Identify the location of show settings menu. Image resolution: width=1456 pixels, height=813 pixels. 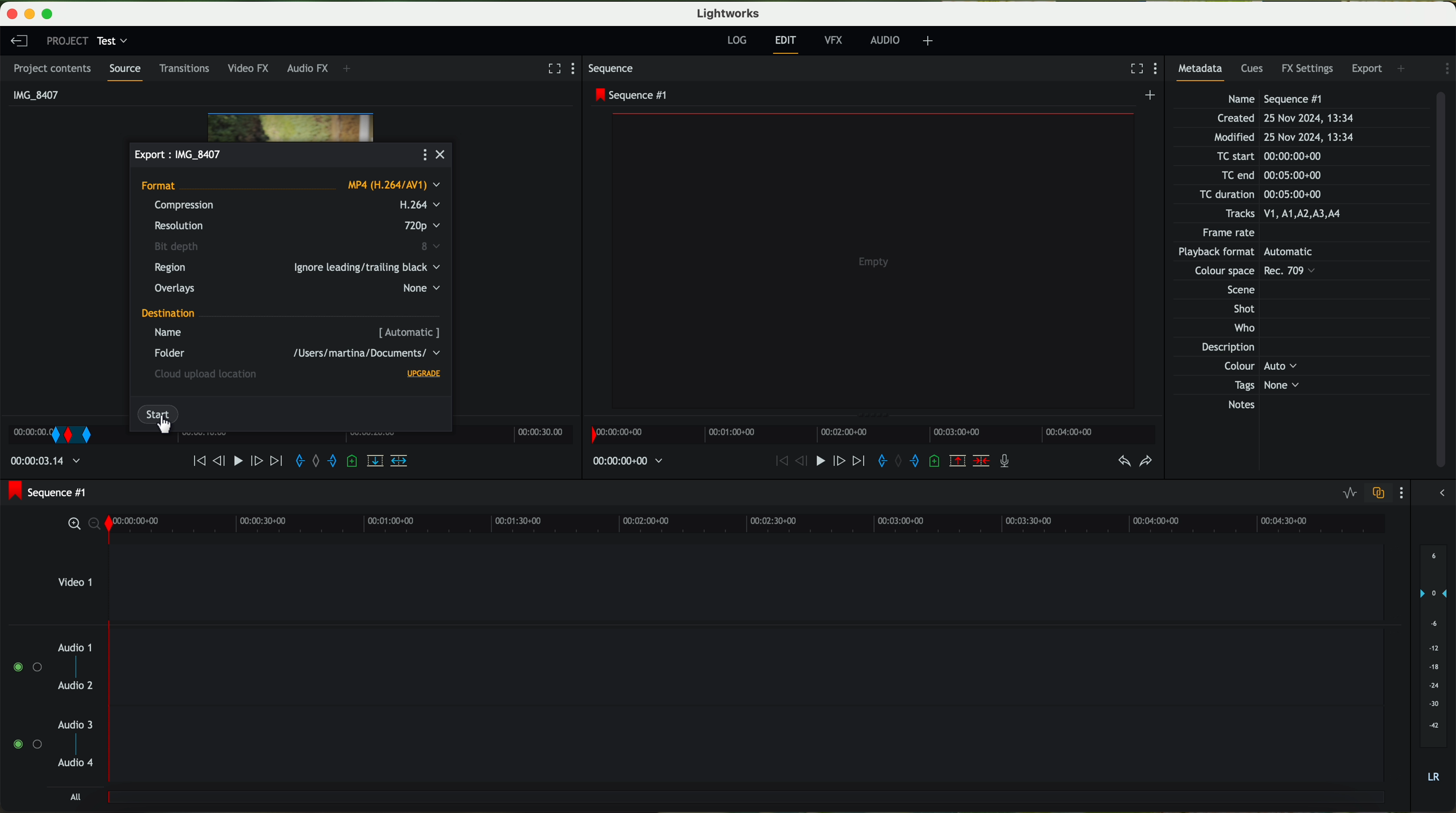
(578, 69).